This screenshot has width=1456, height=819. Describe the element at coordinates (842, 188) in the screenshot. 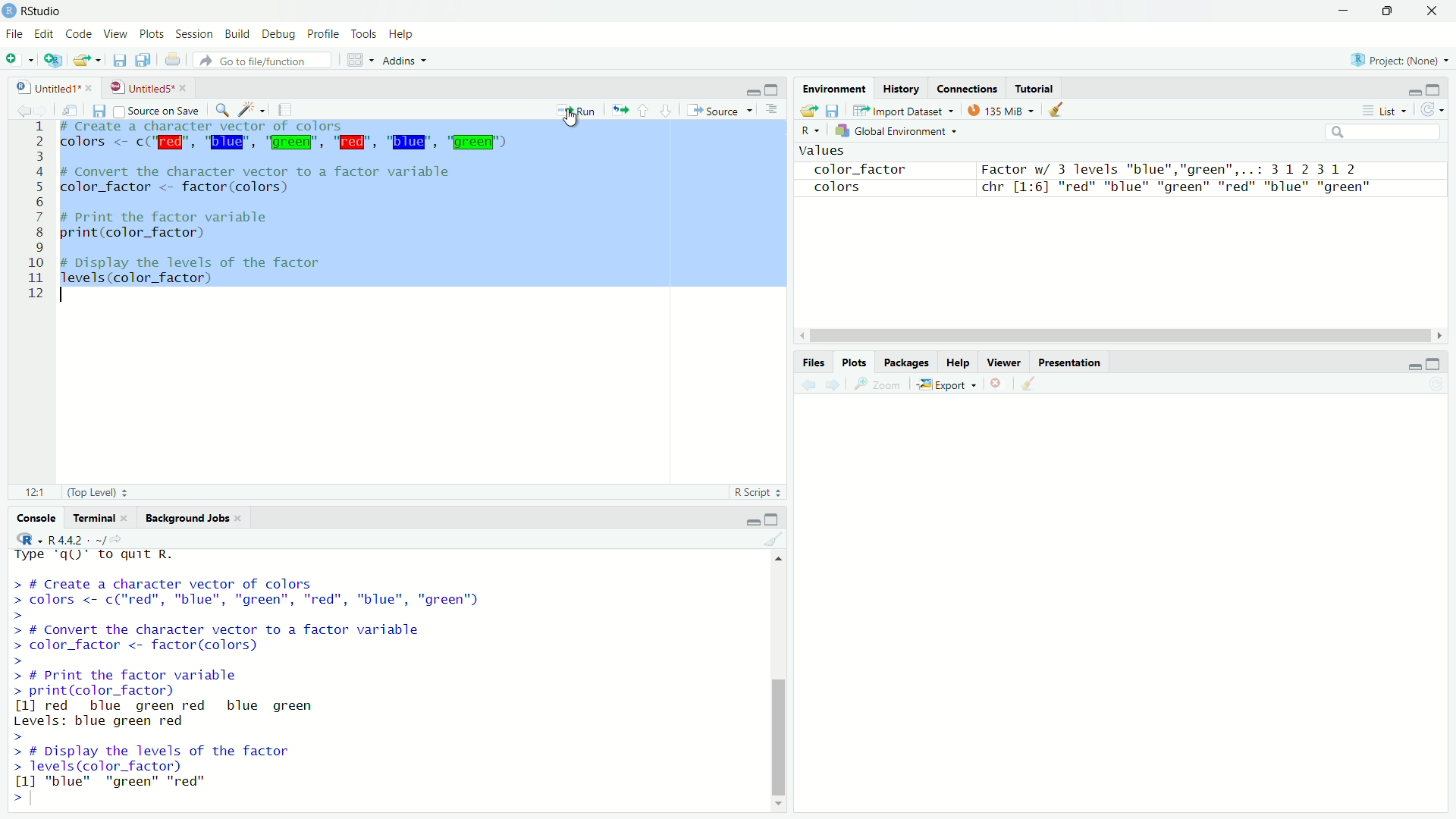

I see `colors` at that location.